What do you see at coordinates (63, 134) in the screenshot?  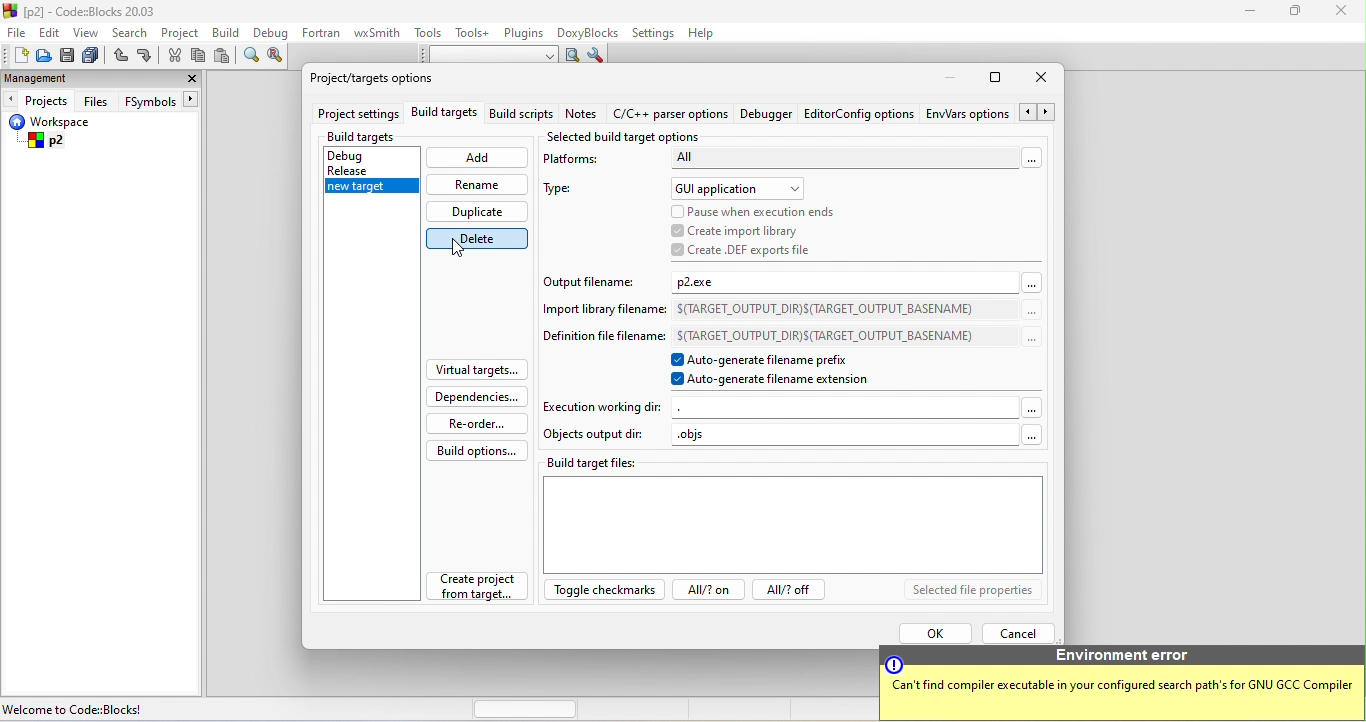 I see `workspace p2` at bounding box center [63, 134].